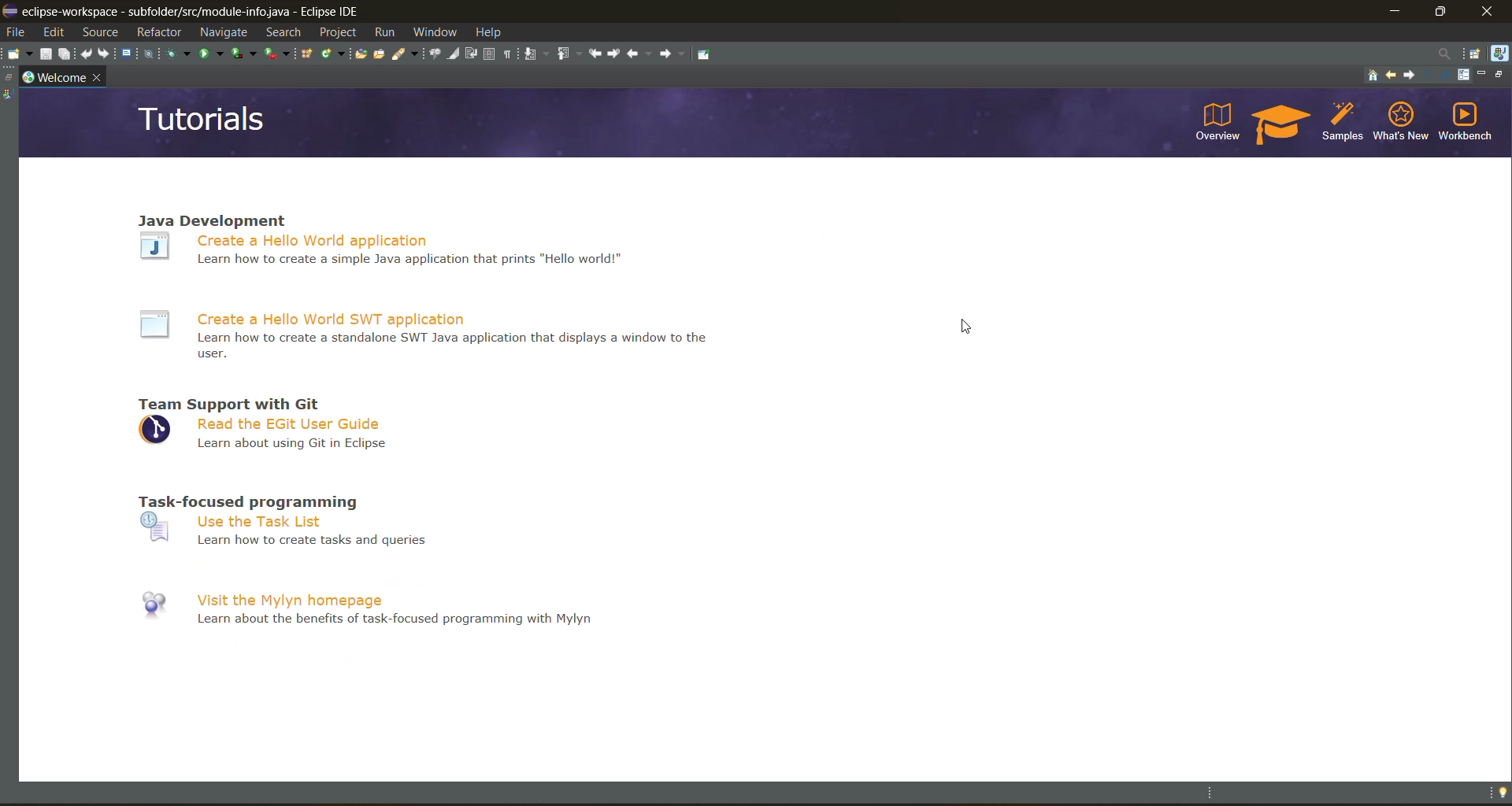 The height and width of the screenshot is (806, 1512). Describe the element at coordinates (14, 33) in the screenshot. I see `file` at that location.